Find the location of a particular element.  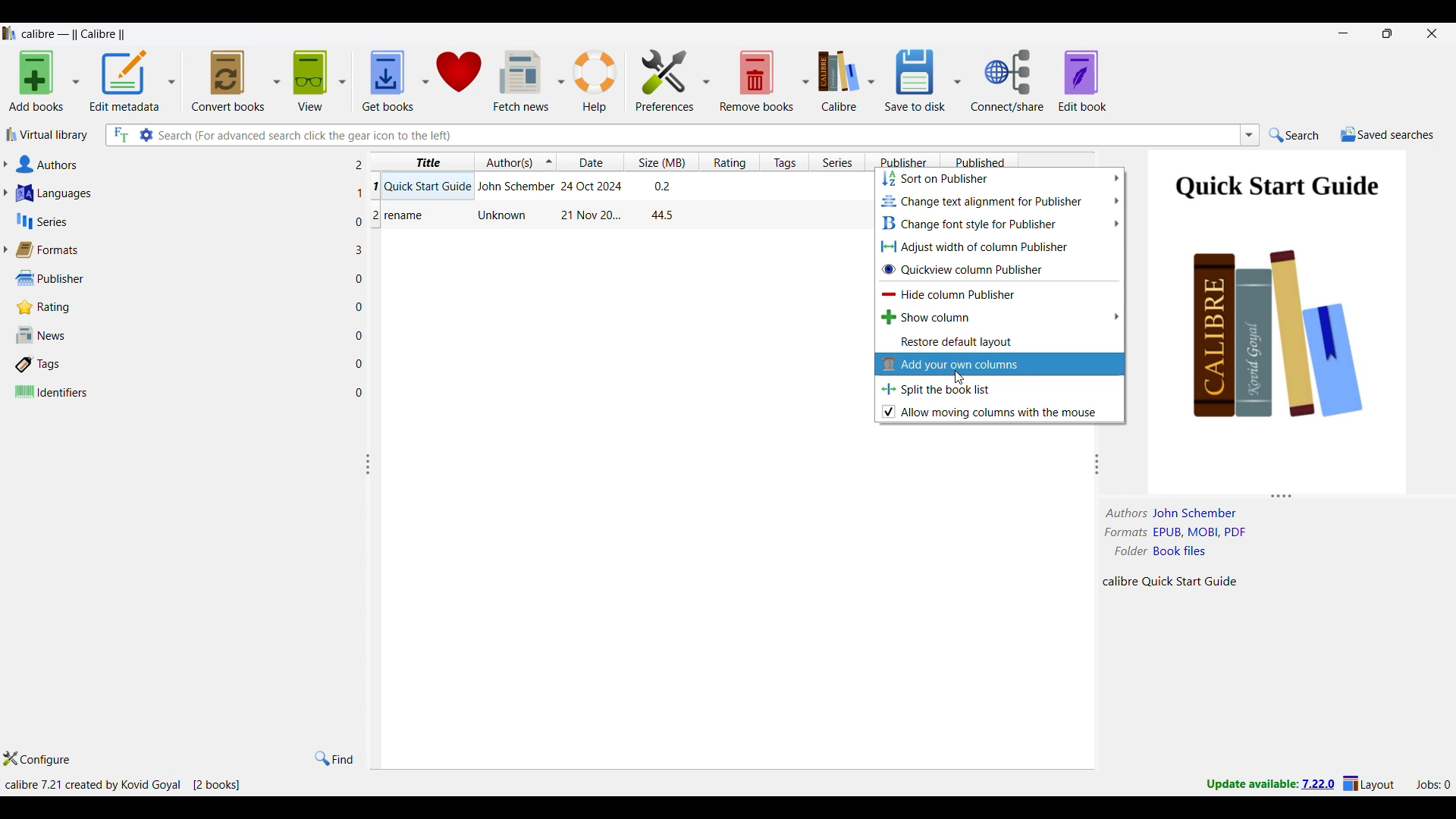

Save to disk and other save options is located at coordinates (922, 80).